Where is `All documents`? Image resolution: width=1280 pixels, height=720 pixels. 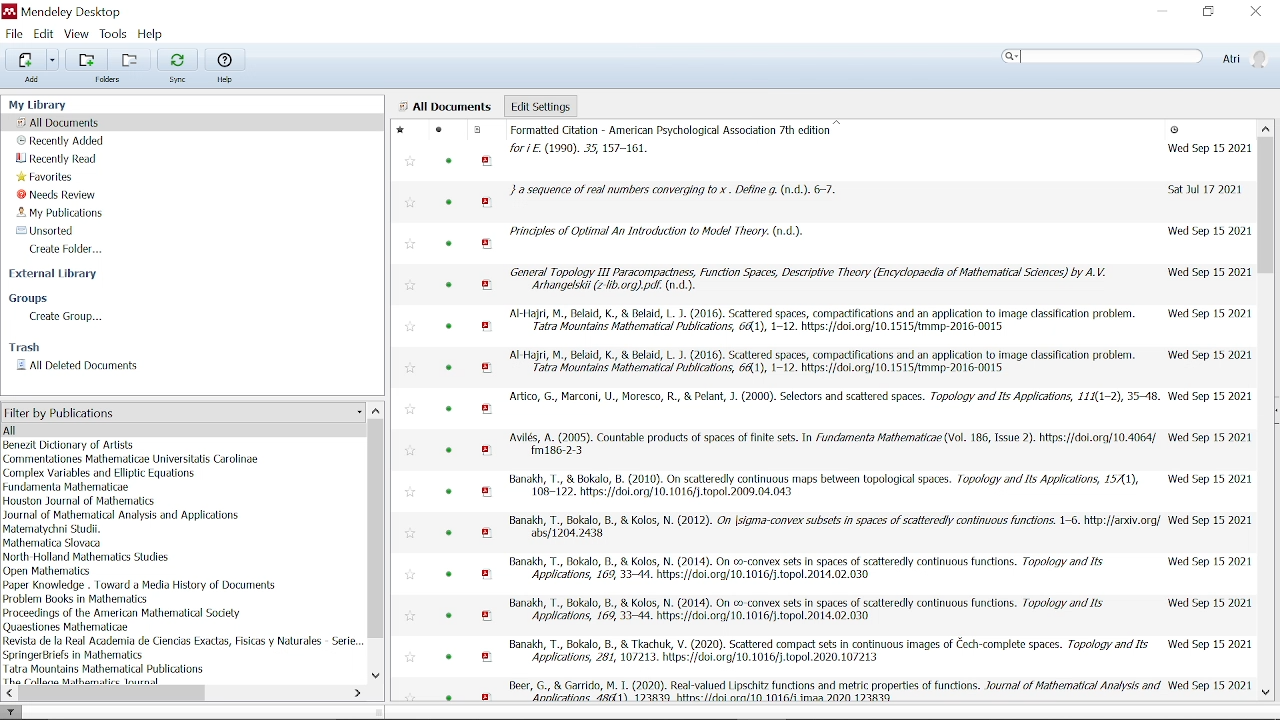 All documents is located at coordinates (445, 107).